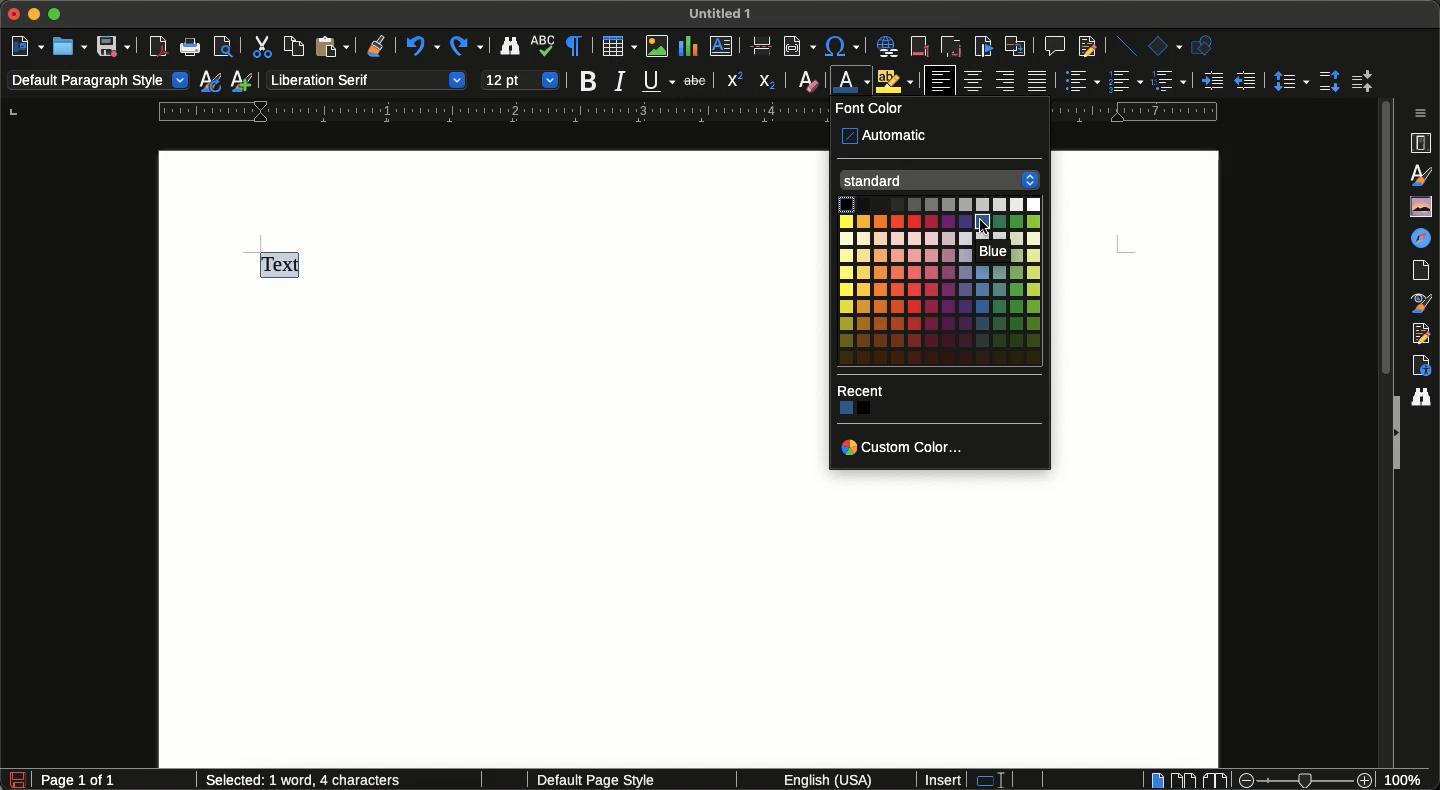 This screenshot has width=1440, height=790. Describe the element at coordinates (726, 49) in the screenshot. I see `Insert text box` at that location.